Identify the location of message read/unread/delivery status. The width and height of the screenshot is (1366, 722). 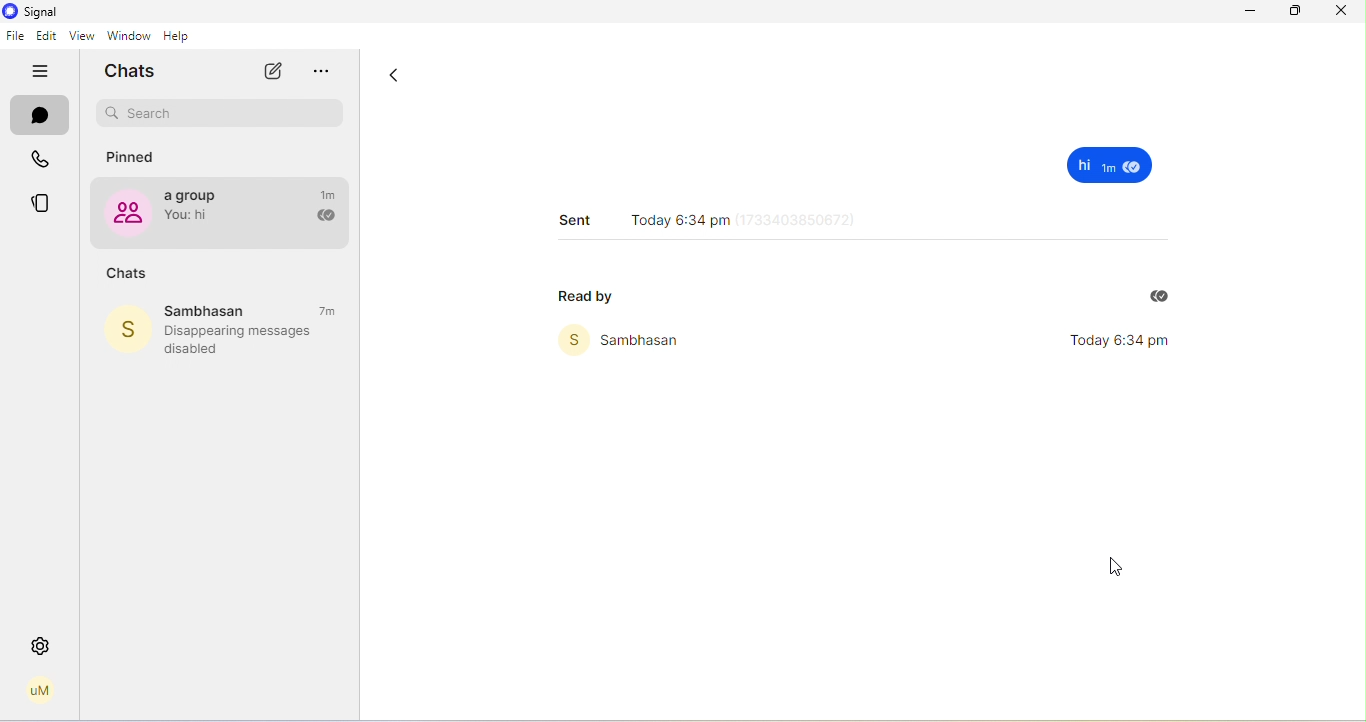
(324, 217).